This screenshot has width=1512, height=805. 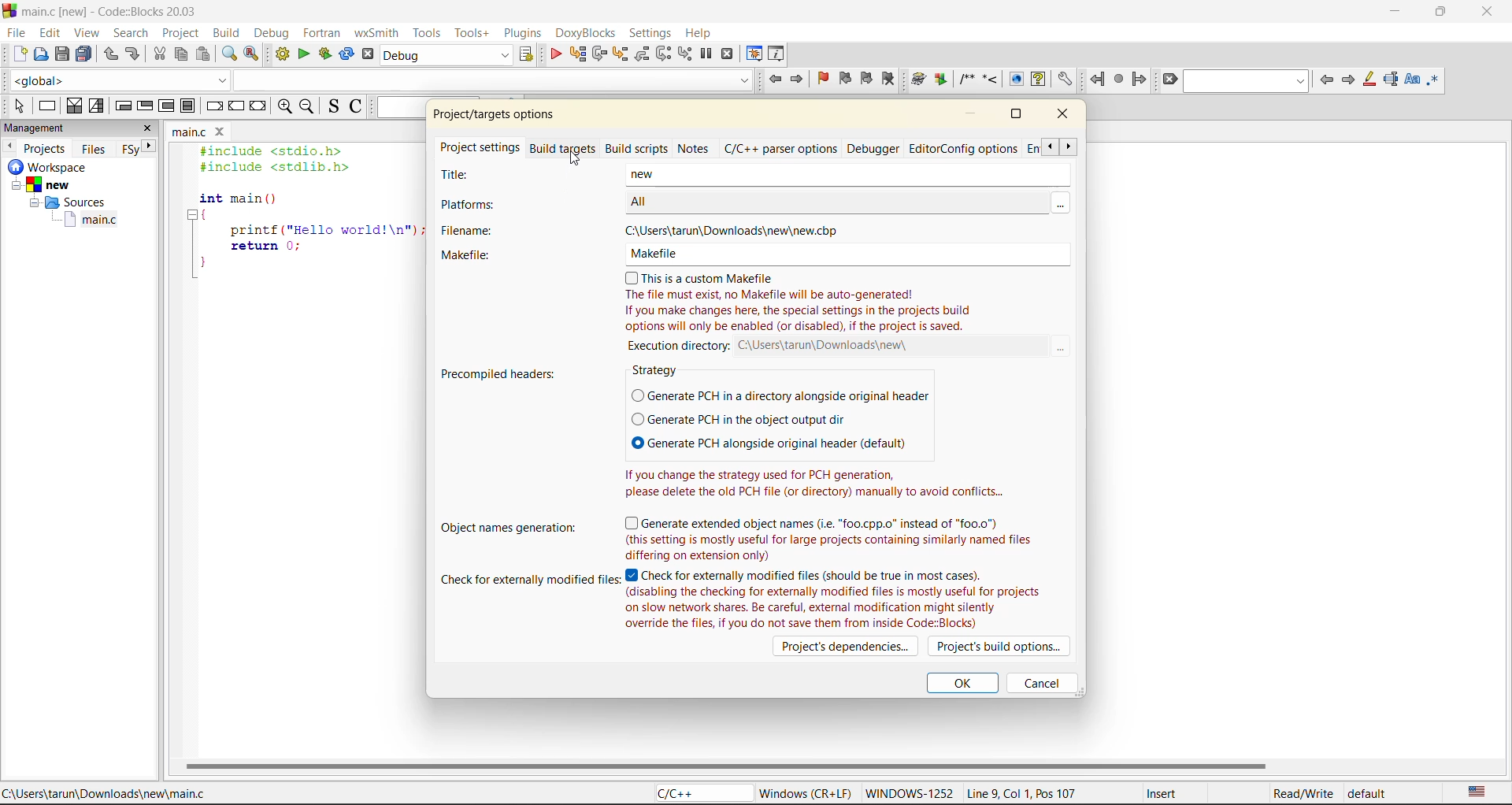 I want to click on object names generation, so click(x=506, y=533).